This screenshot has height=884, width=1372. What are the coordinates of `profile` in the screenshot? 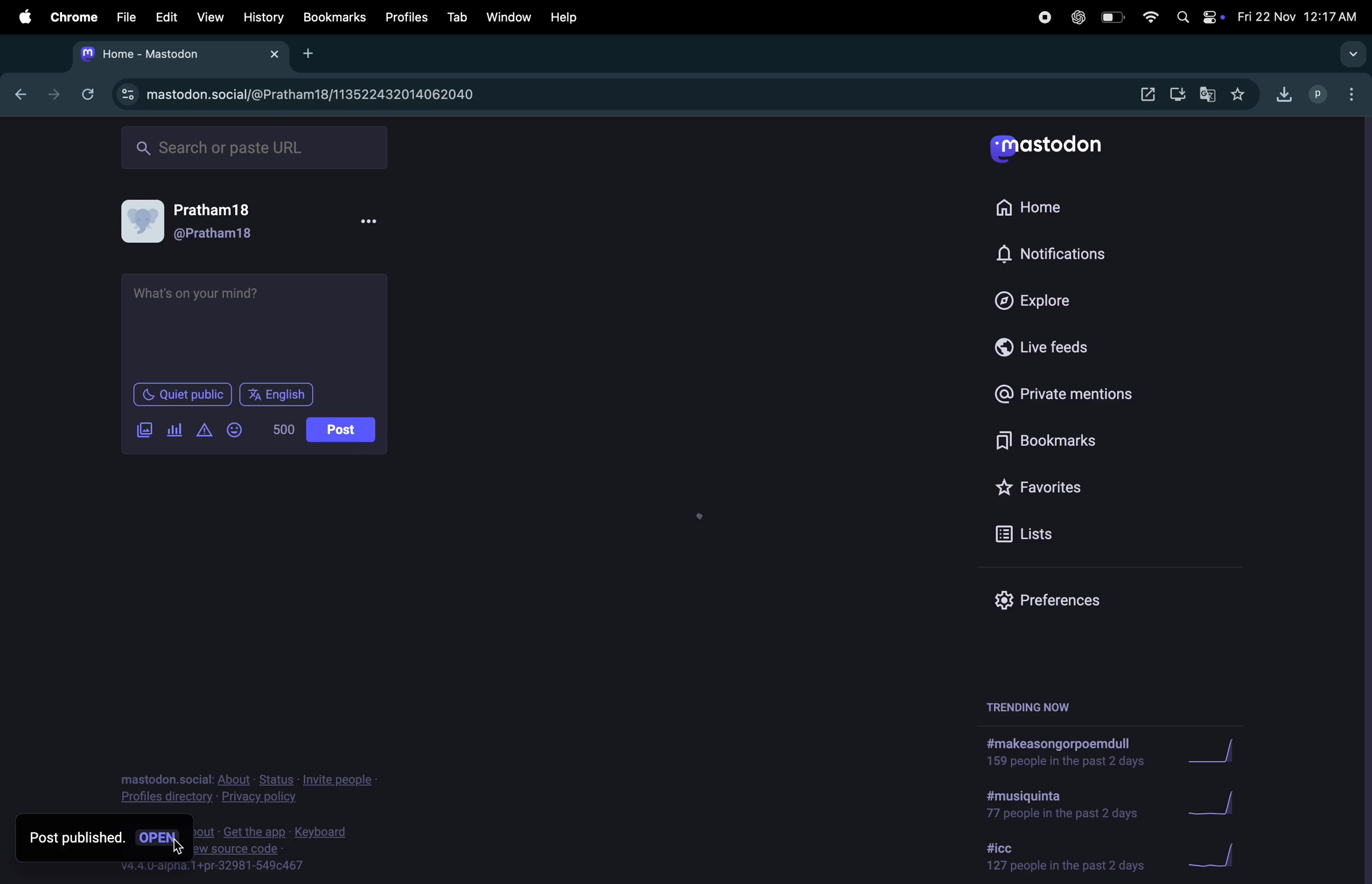 It's located at (1315, 95).